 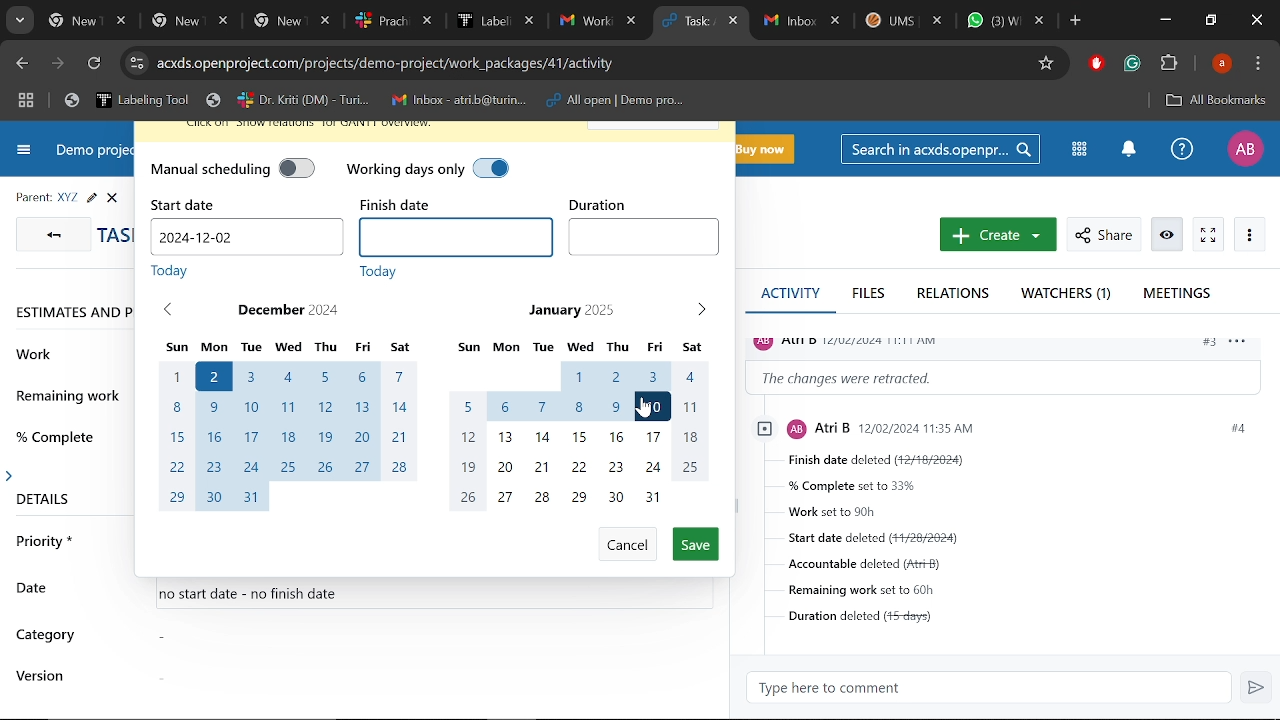 What do you see at coordinates (1243, 149) in the screenshot?
I see `Profile` at bounding box center [1243, 149].